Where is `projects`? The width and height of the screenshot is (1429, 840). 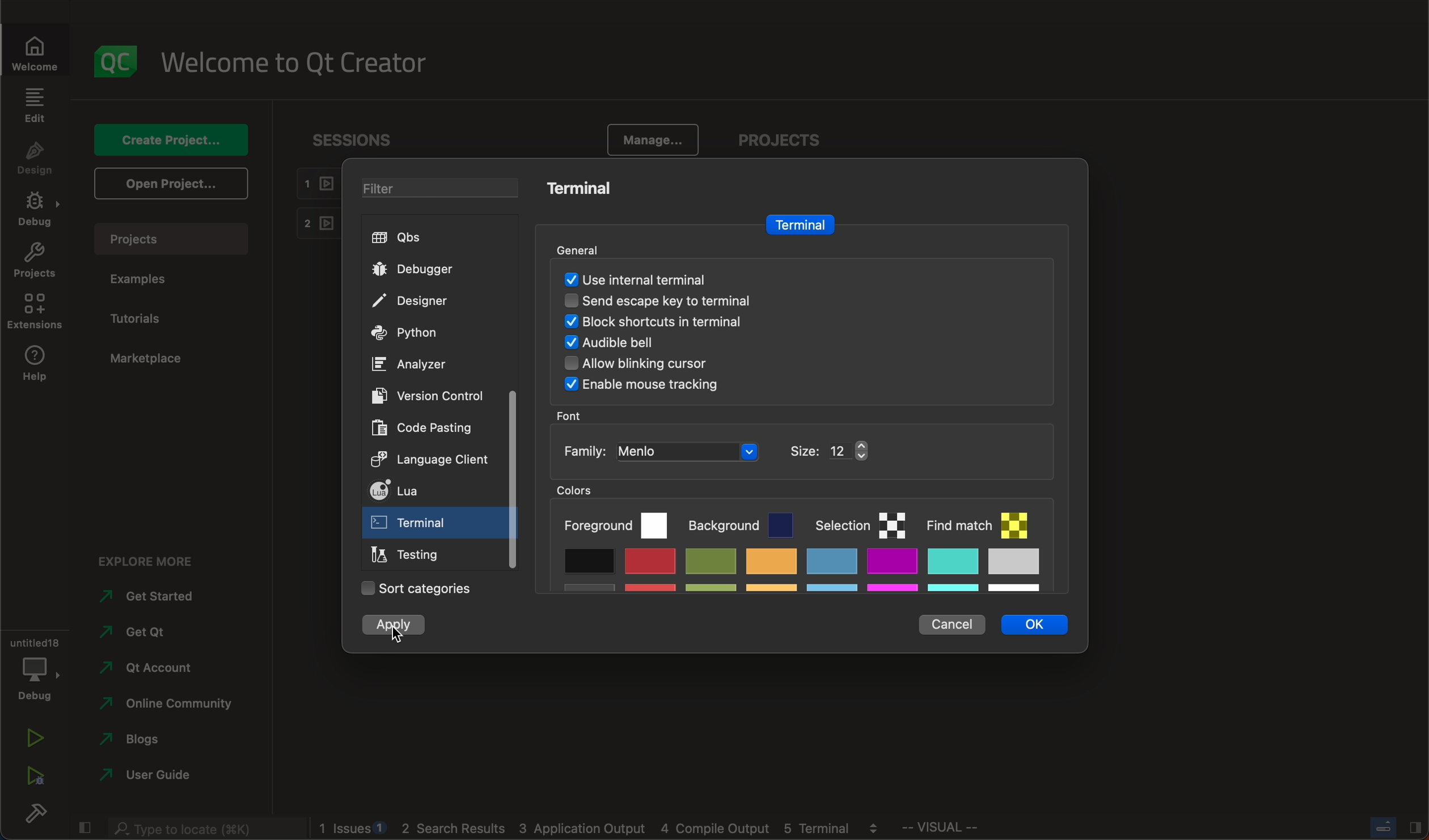 projects is located at coordinates (778, 136).